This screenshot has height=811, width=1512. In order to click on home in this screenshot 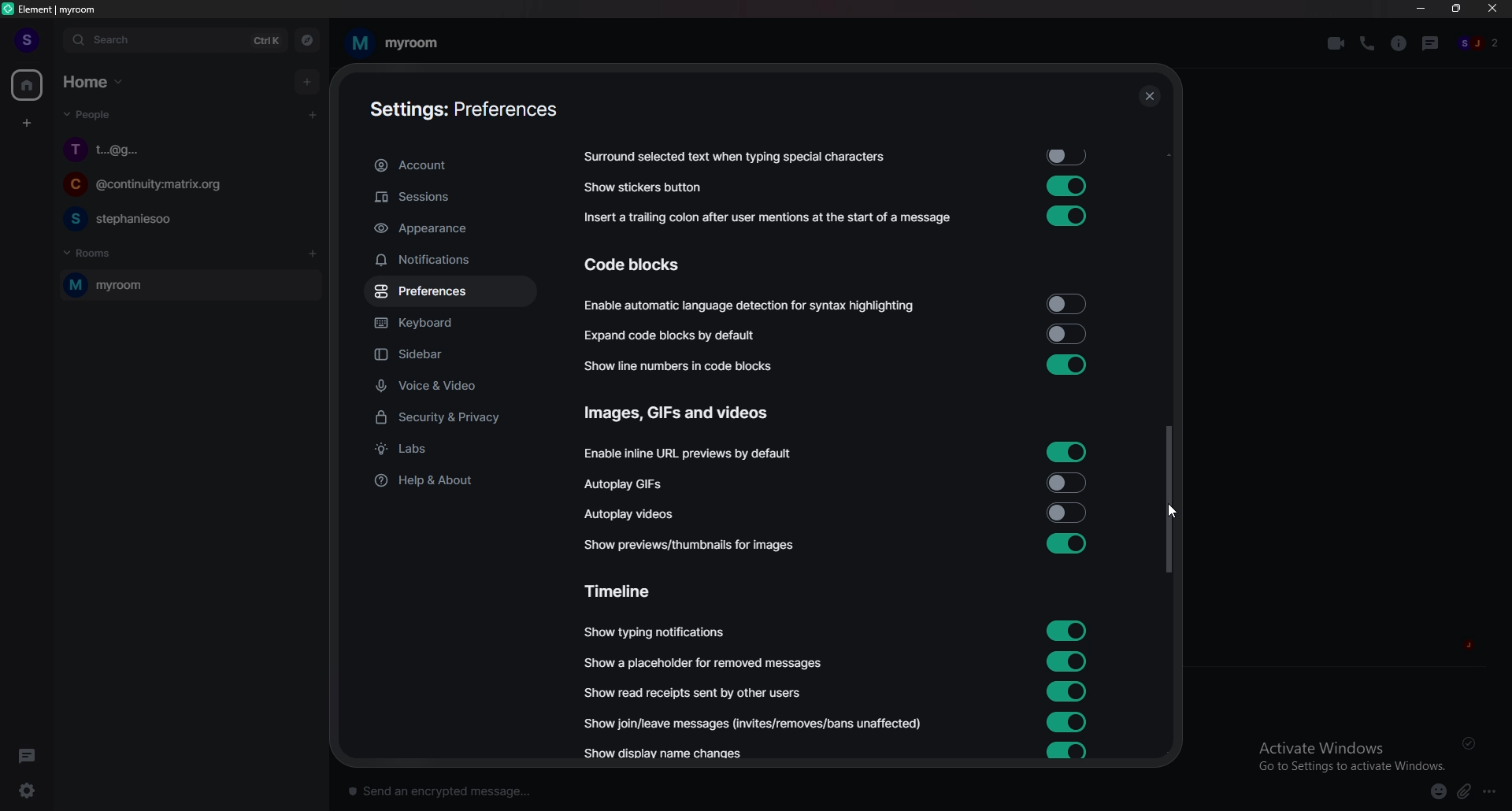, I will do `click(28, 86)`.